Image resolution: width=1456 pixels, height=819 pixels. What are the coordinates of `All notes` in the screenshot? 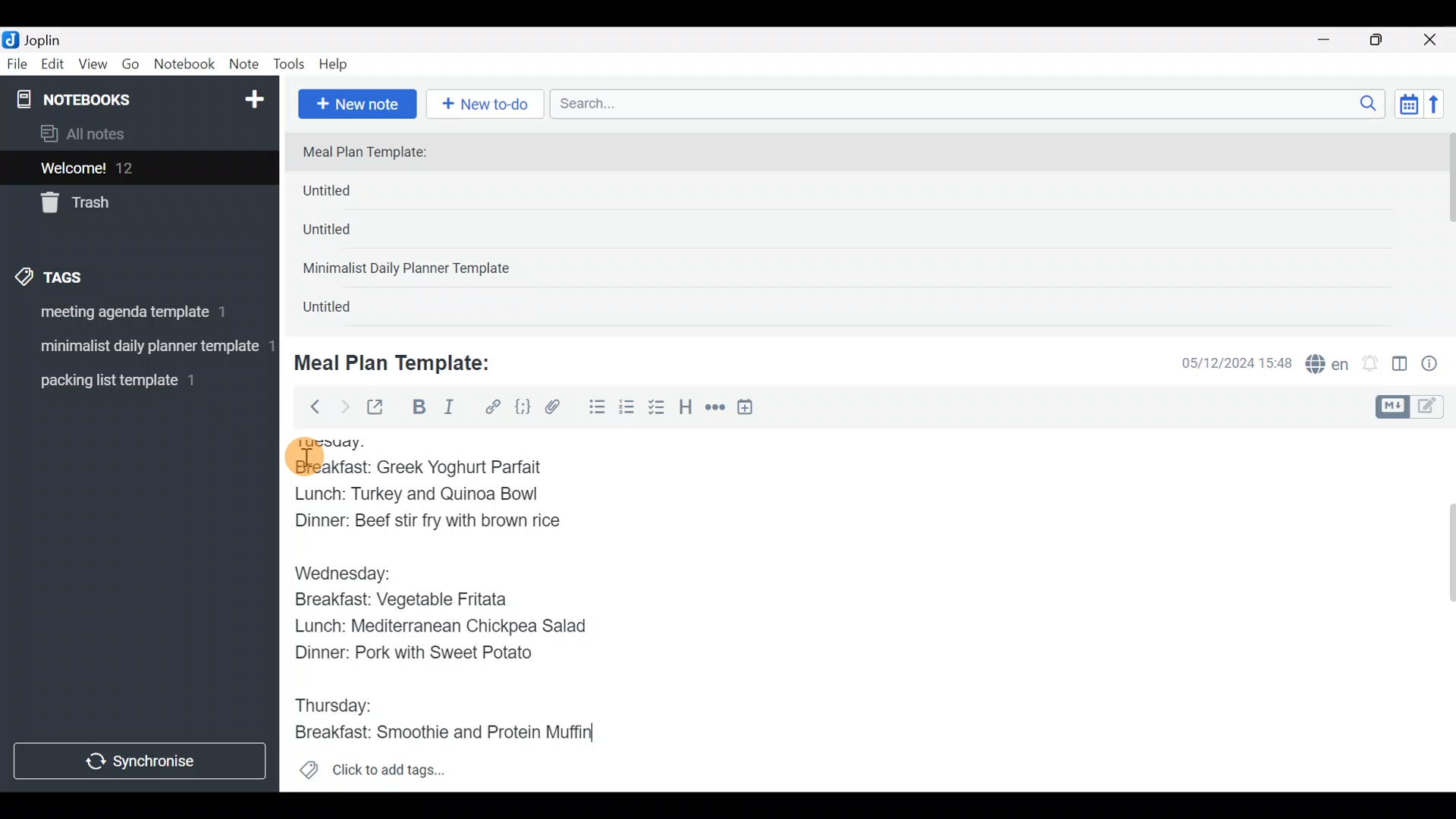 It's located at (136, 135).